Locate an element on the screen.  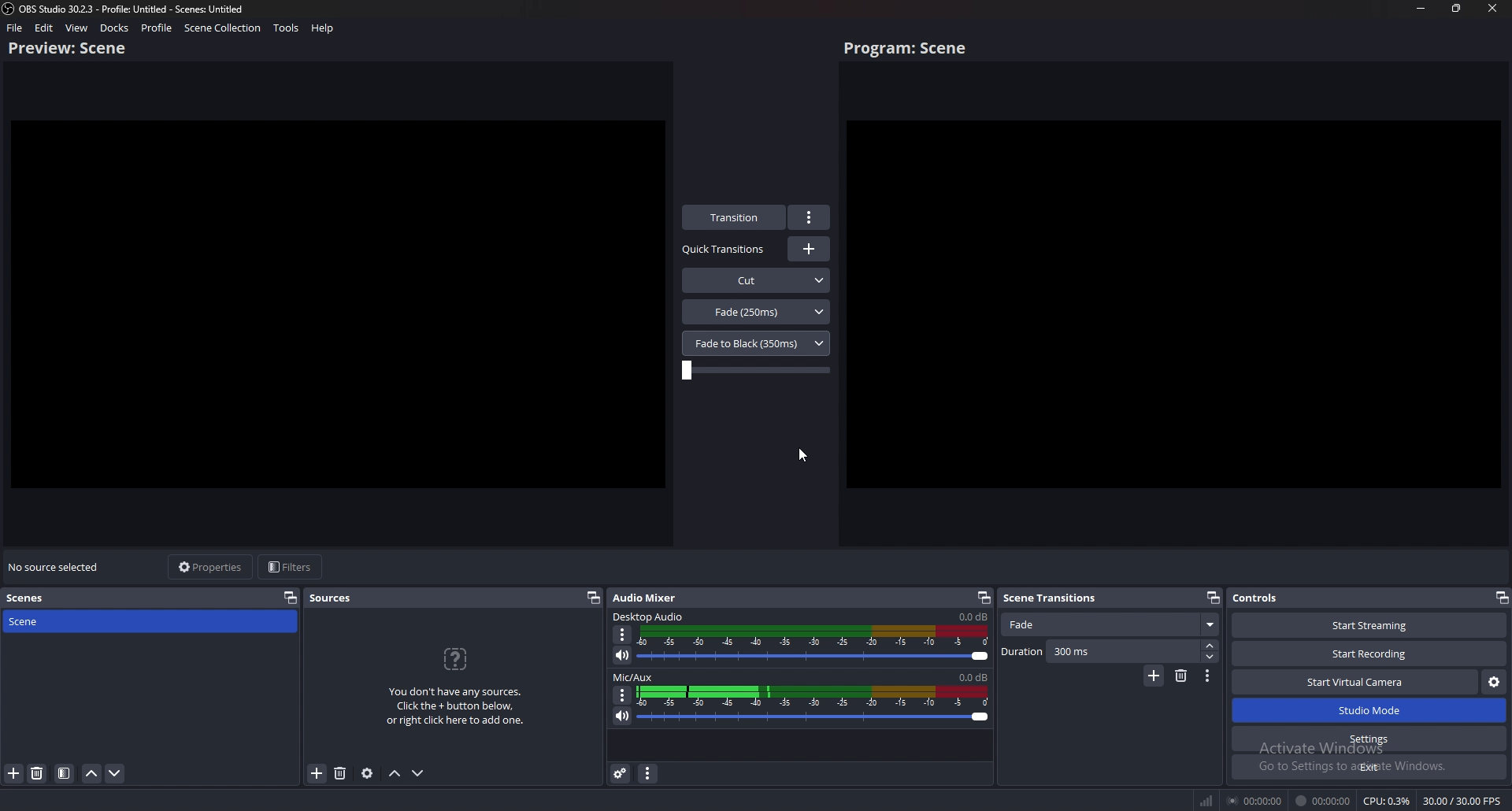
resize is located at coordinates (1457, 8).